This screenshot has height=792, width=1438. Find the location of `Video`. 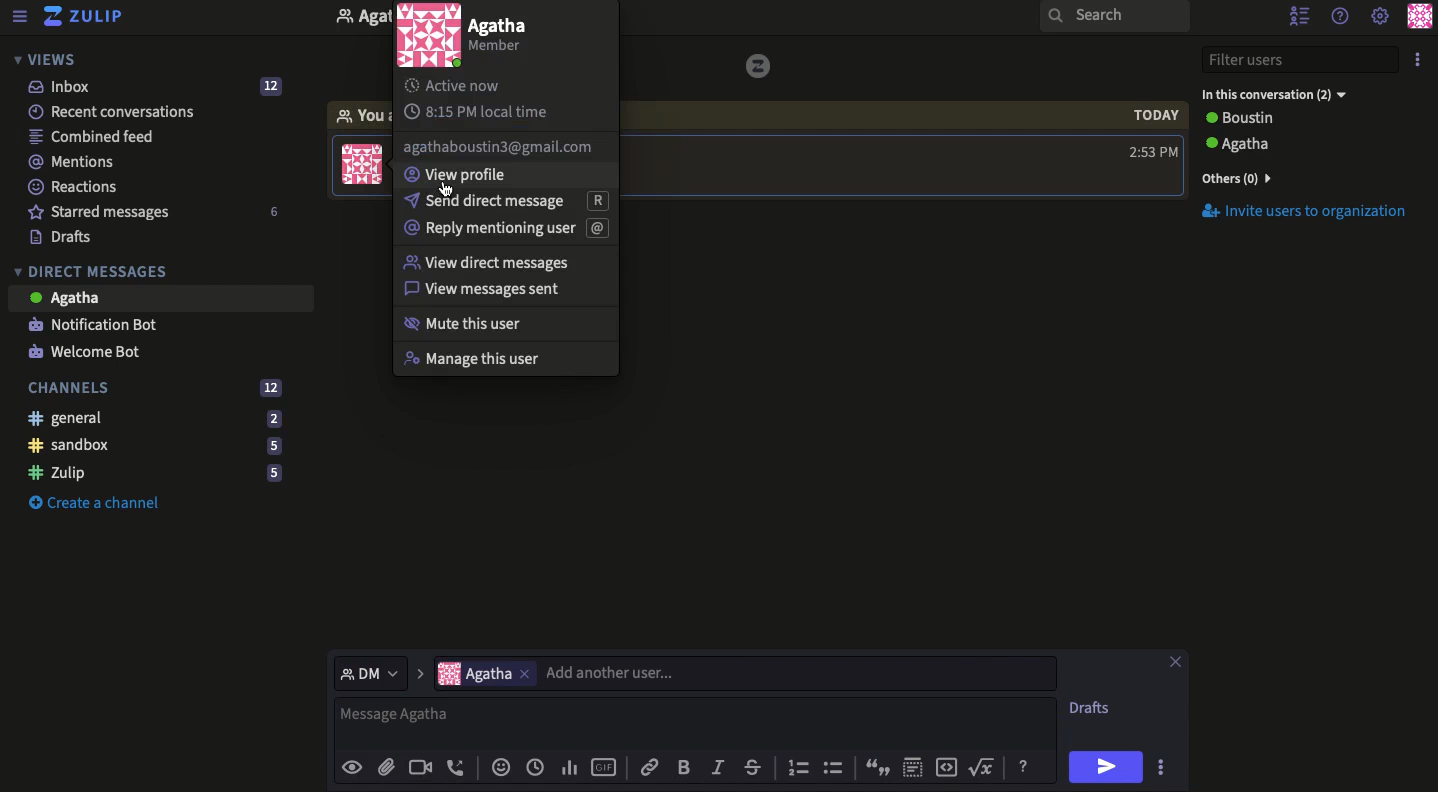

Video is located at coordinates (421, 768).